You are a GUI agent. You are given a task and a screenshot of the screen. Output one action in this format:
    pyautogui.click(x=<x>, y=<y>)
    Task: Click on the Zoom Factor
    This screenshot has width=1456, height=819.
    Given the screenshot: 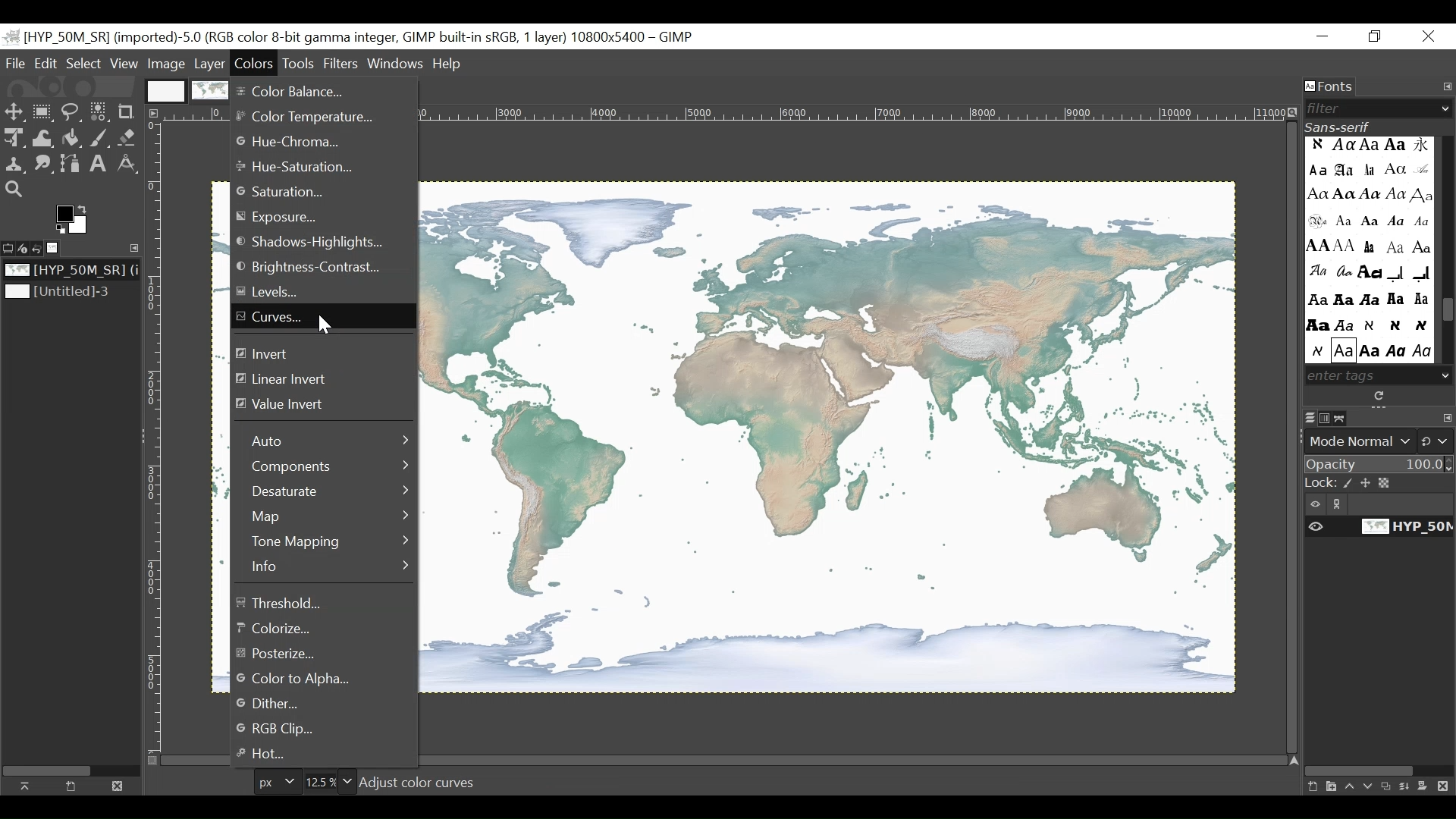 What is the action you would take?
    pyautogui.click(x=325, y=782)
    